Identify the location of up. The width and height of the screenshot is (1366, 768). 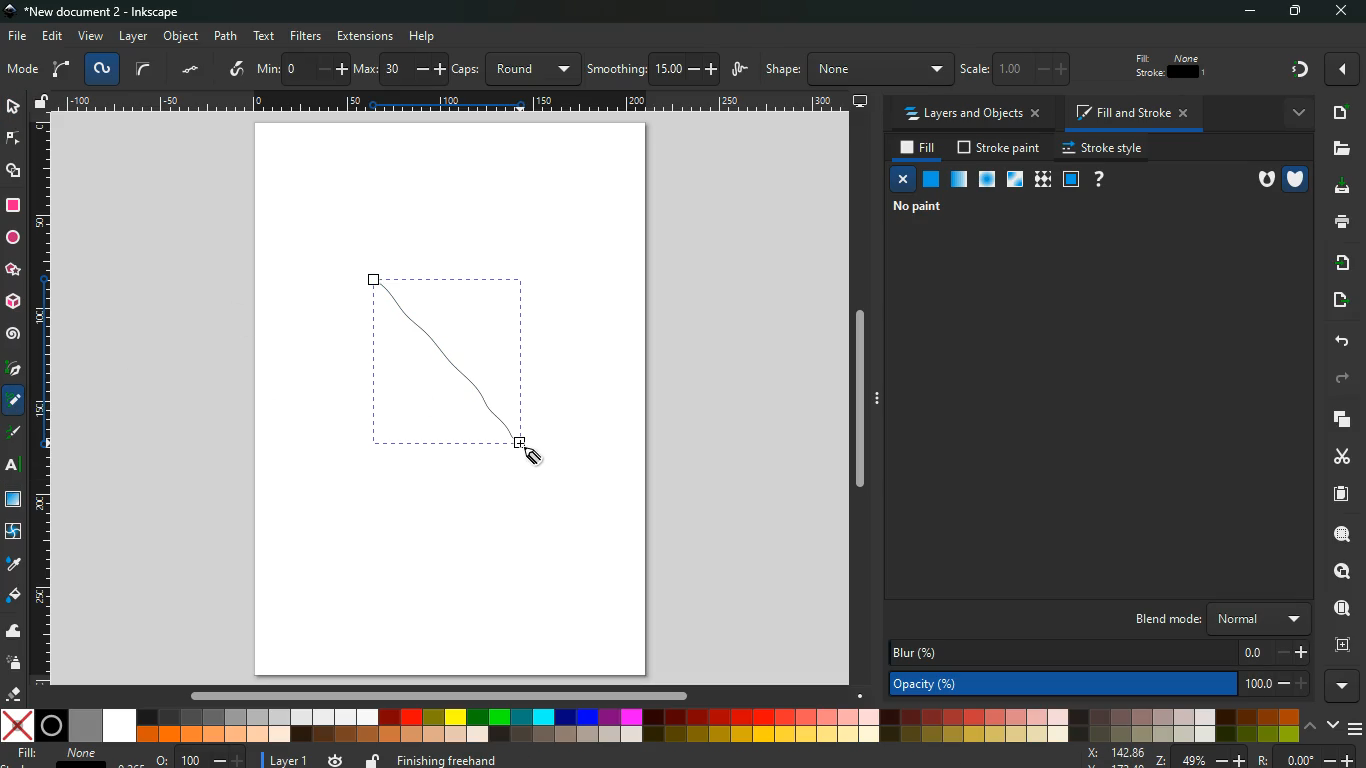
(1310, 727).